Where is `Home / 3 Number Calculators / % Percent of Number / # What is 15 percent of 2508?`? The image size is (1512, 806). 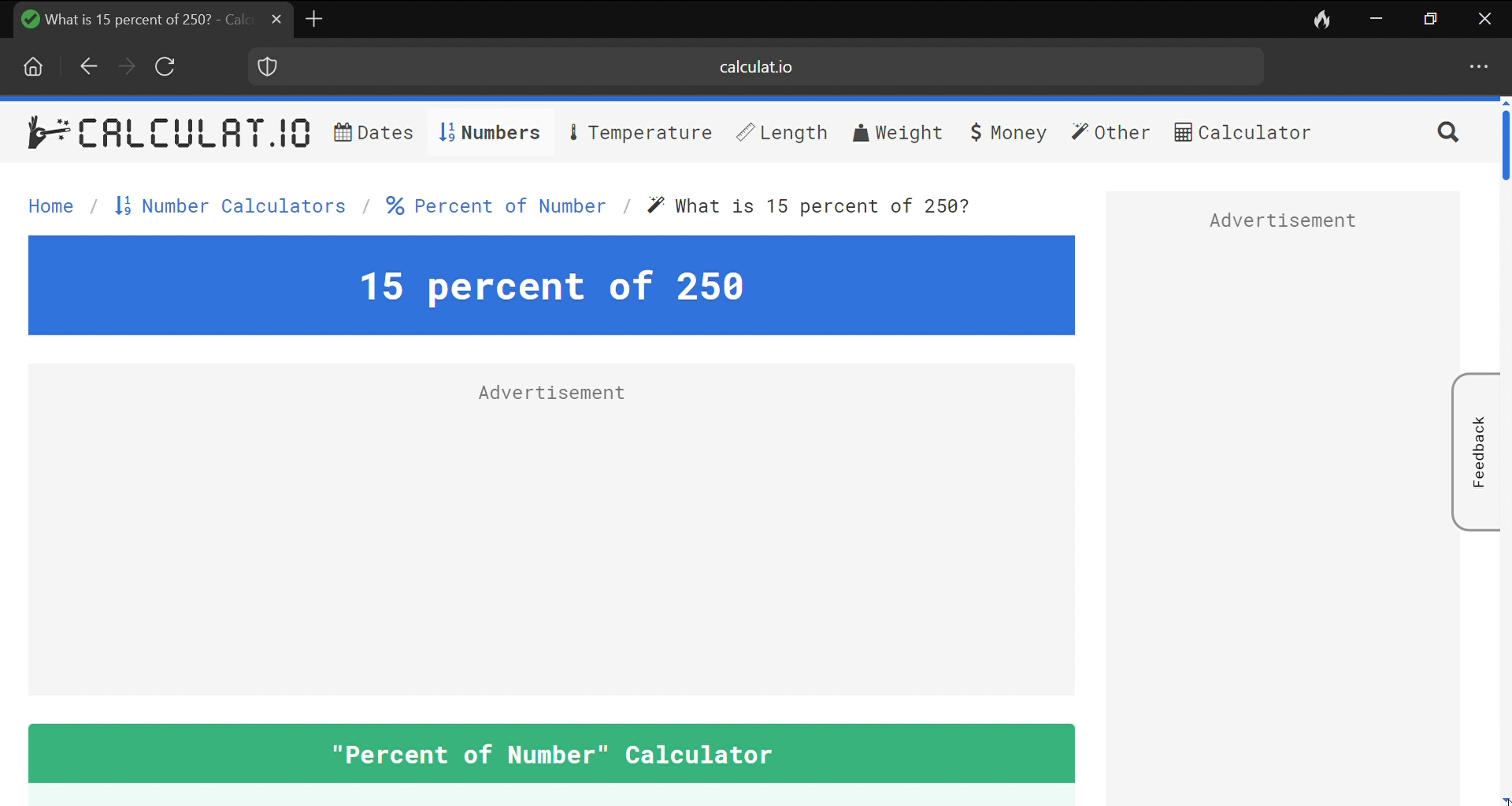 Home / 3 Number Calculators / % Percent of Number / # What is 15 percent of 2508? is located at coordinates (495, 209).